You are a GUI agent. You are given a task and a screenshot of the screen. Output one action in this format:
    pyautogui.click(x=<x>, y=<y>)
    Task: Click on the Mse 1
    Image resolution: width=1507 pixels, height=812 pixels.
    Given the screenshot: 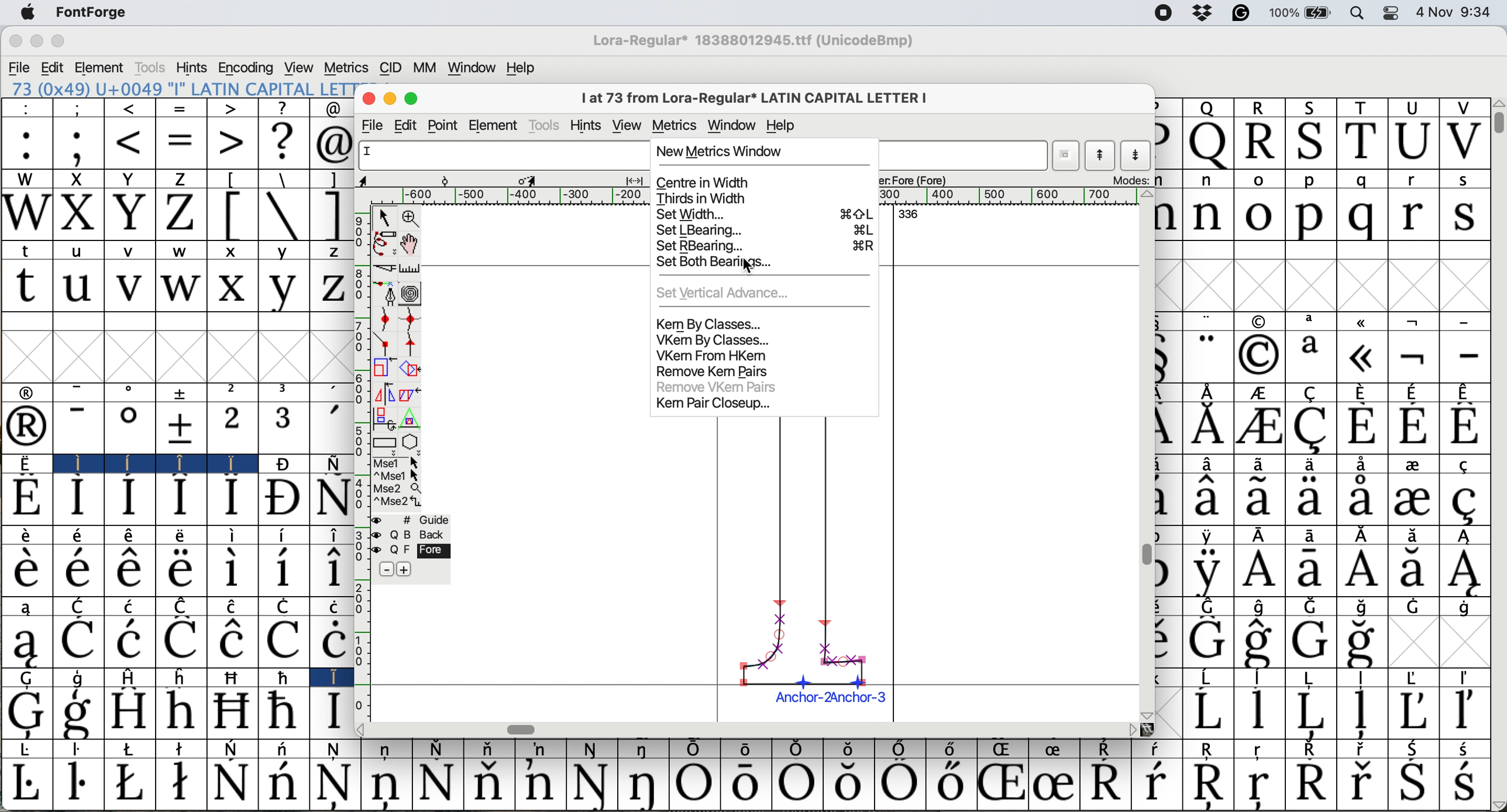 What is the action you would take?
    pyautogui.click(x=395, y=462)
    